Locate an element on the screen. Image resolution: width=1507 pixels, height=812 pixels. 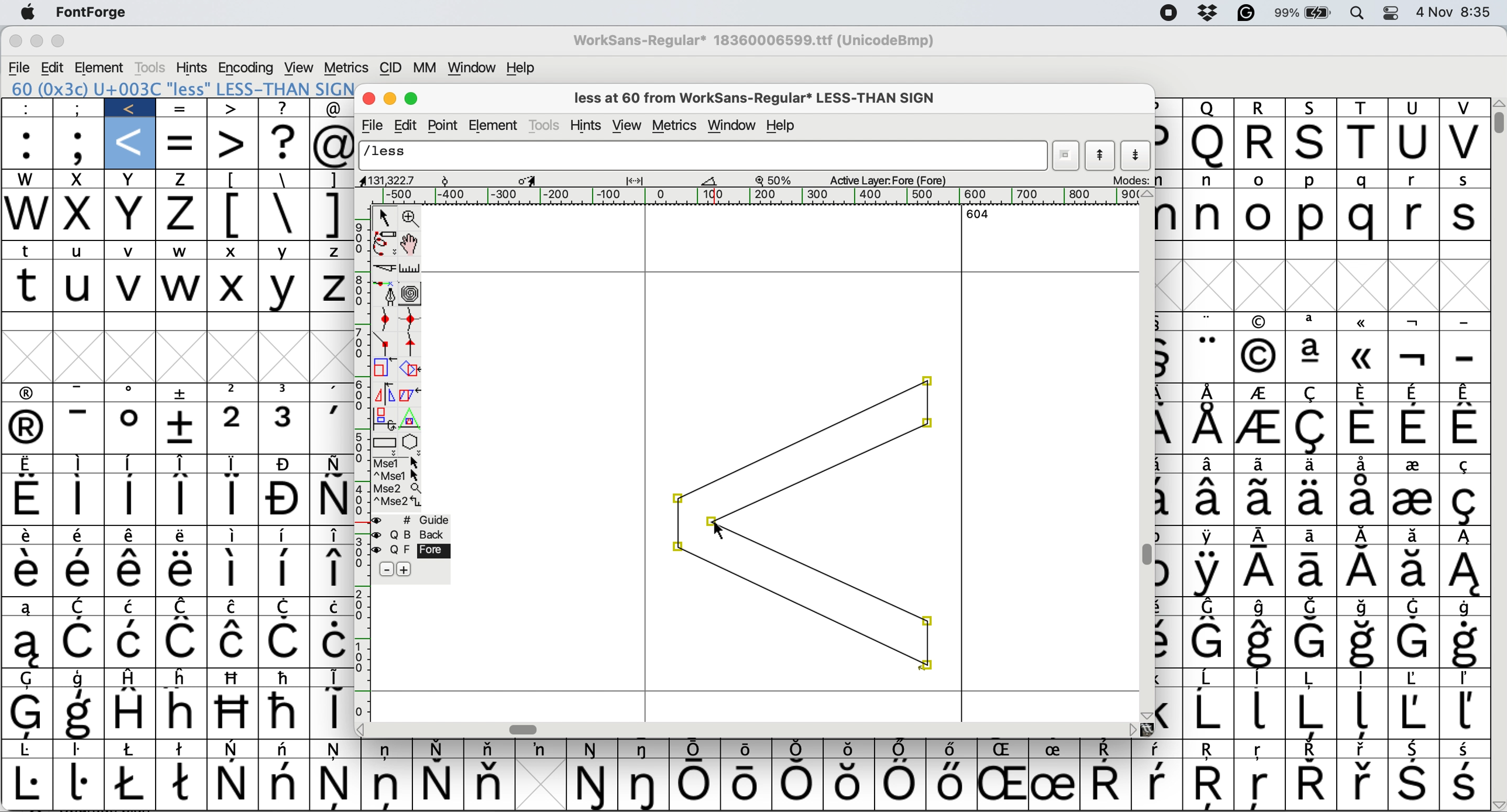
symbol is located at coordinates (1167, 574).